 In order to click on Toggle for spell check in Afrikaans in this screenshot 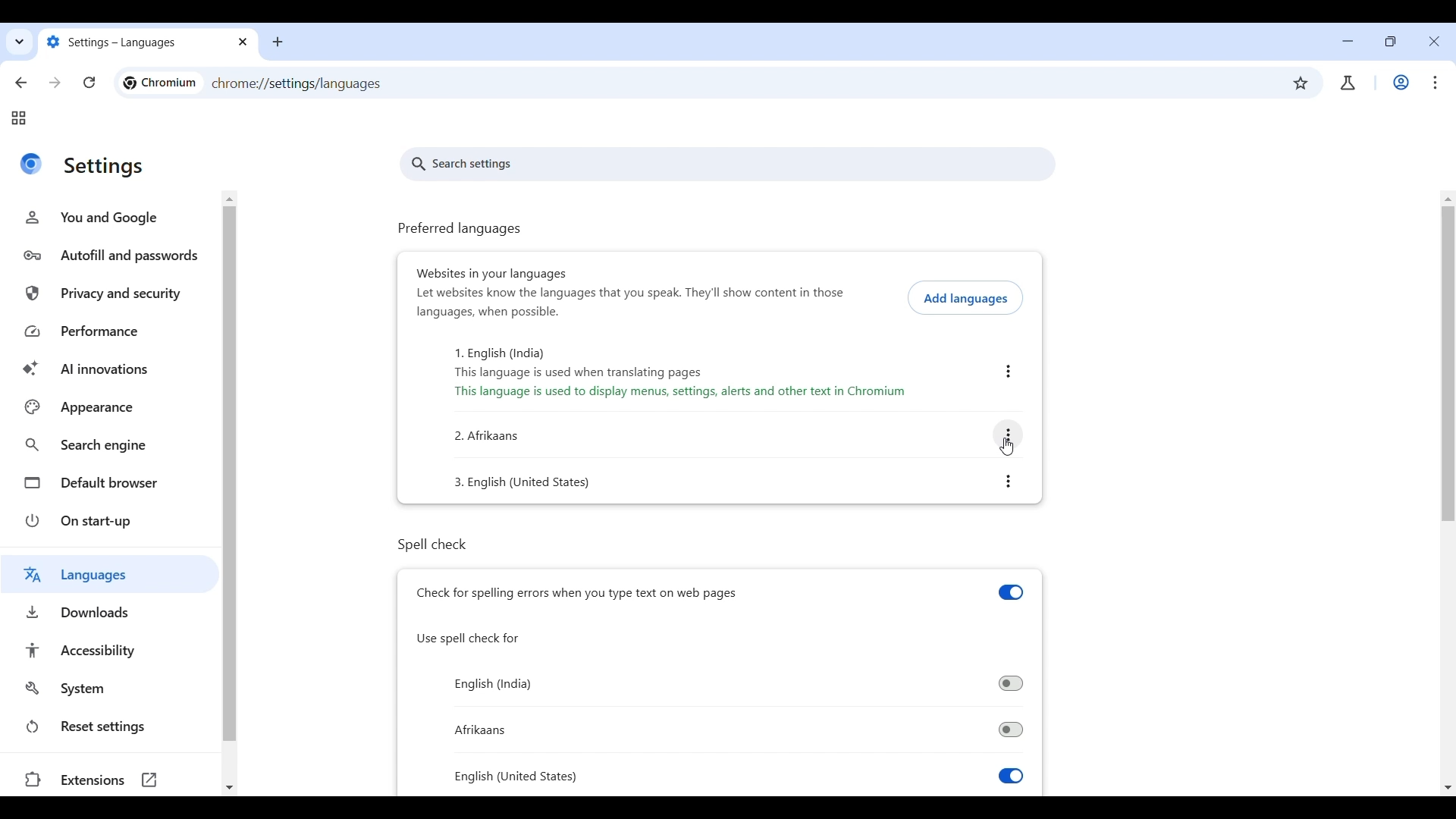, I will do `click(739, 731)`.